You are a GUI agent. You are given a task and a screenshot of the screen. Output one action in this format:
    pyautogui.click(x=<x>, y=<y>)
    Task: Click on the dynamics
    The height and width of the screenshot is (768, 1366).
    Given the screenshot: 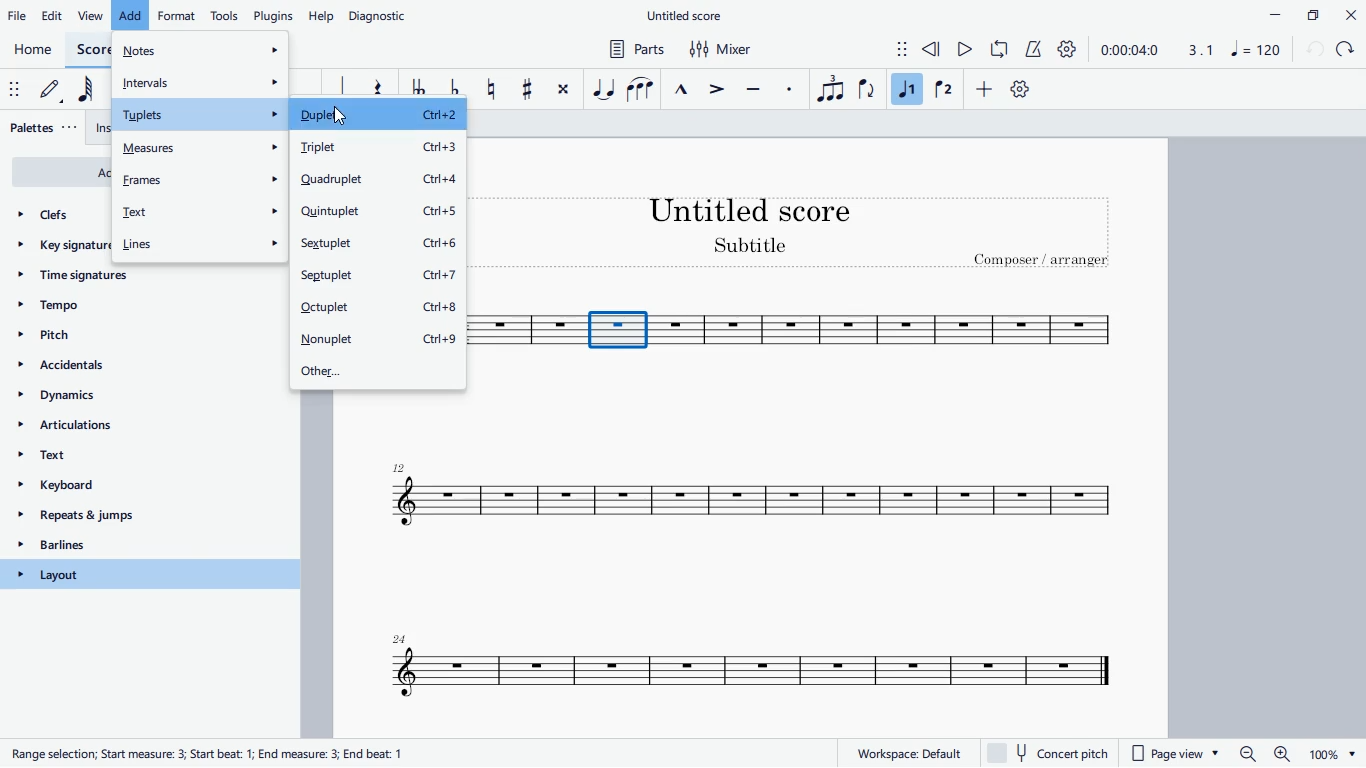 What is the action you would take?
    pyautogui.click(x=120, y=400)
    